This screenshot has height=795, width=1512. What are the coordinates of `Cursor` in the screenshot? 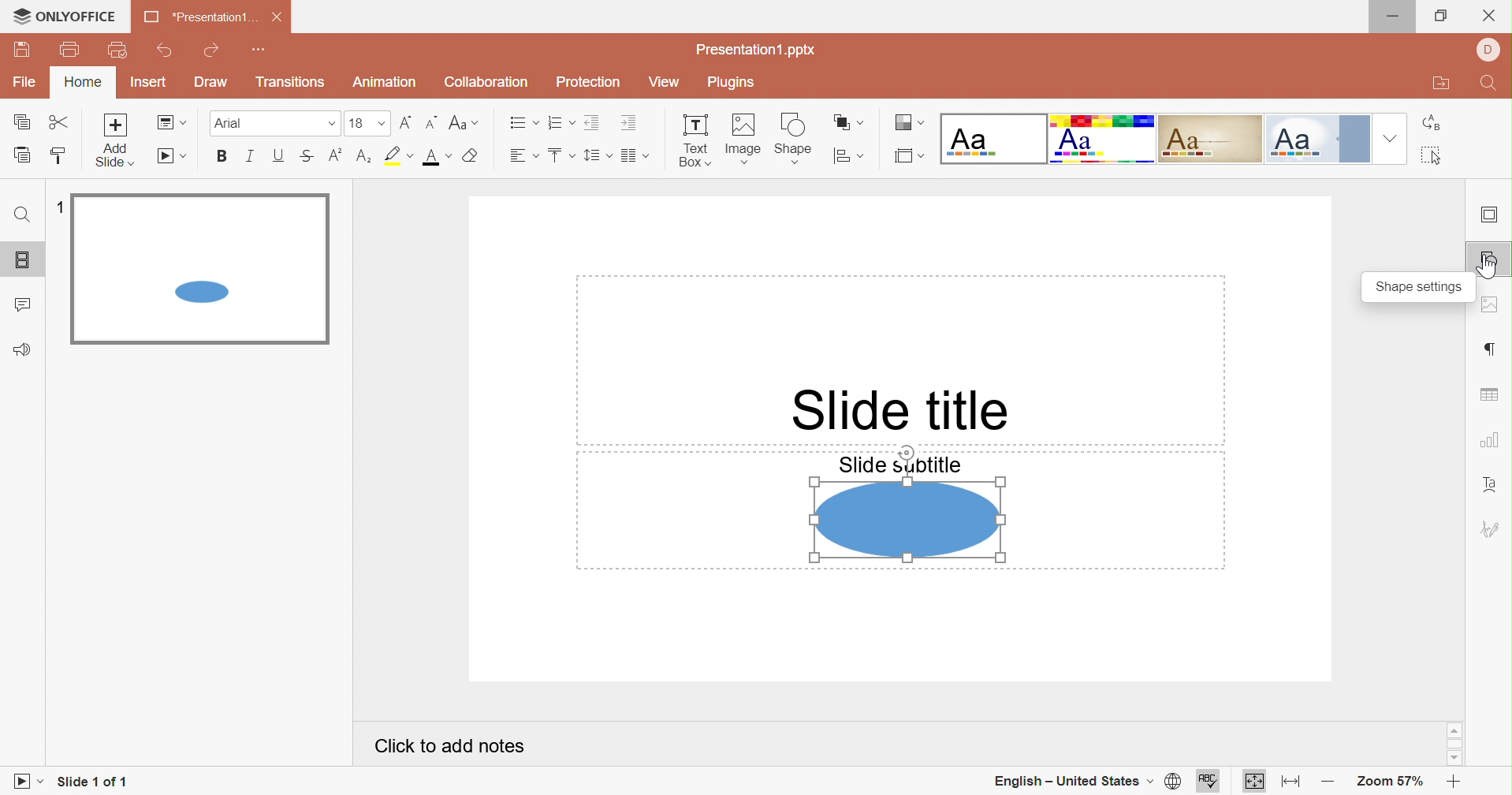 It's located at (1487, 267).